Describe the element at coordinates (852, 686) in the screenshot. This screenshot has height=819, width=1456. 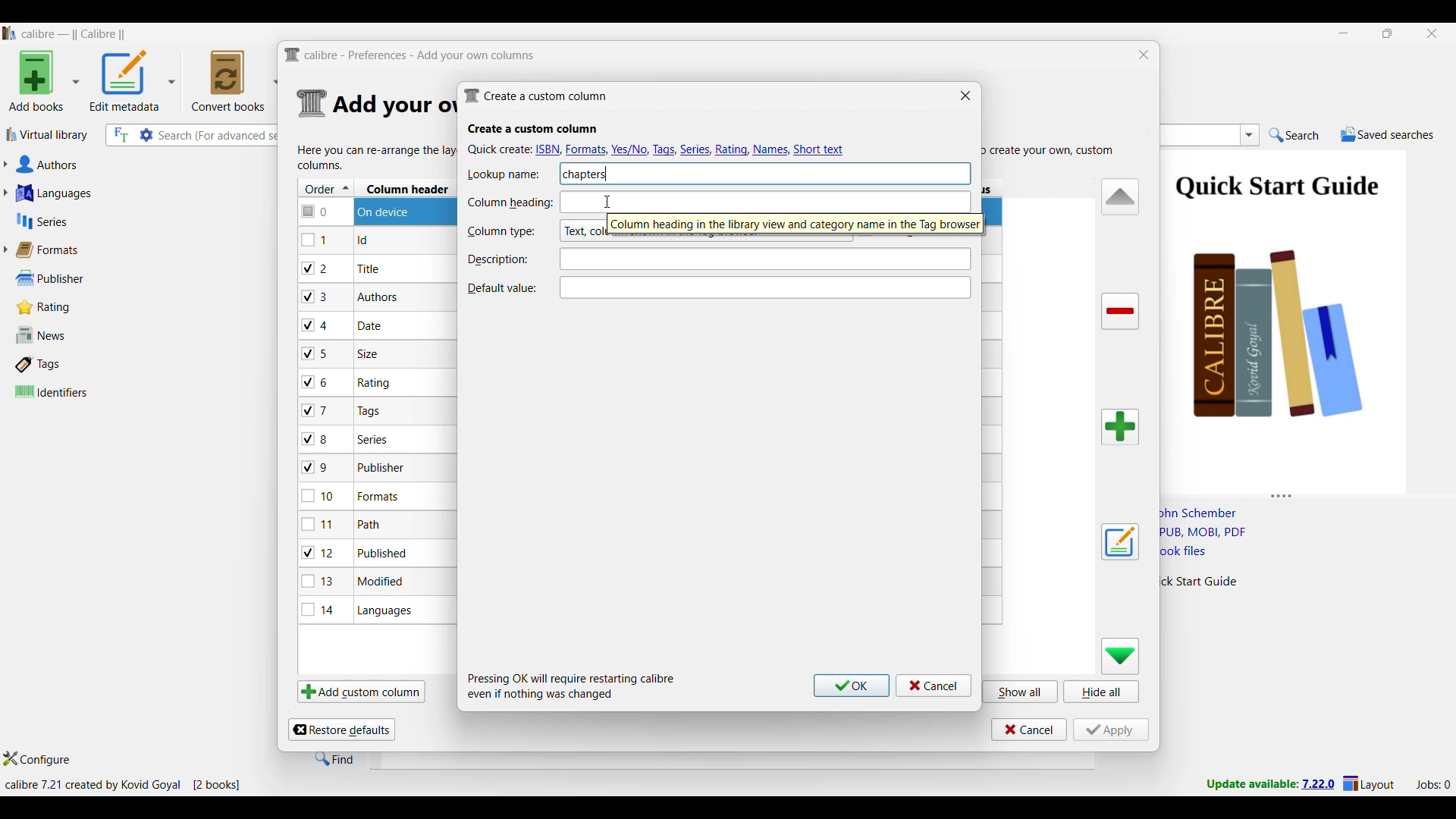
I see `Ok` at that location.